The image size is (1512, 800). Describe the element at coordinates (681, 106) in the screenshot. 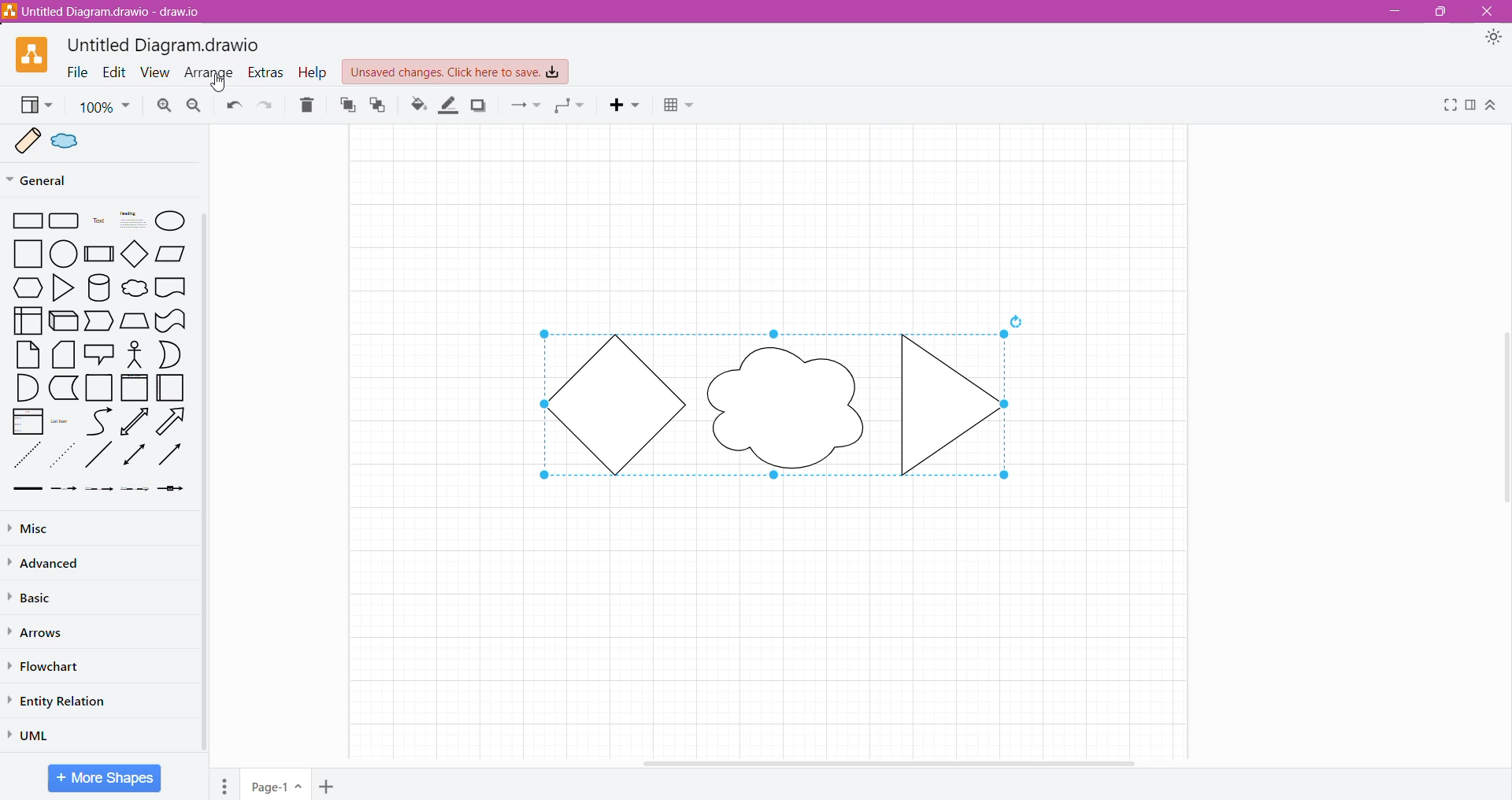

I see `Table` at that location.